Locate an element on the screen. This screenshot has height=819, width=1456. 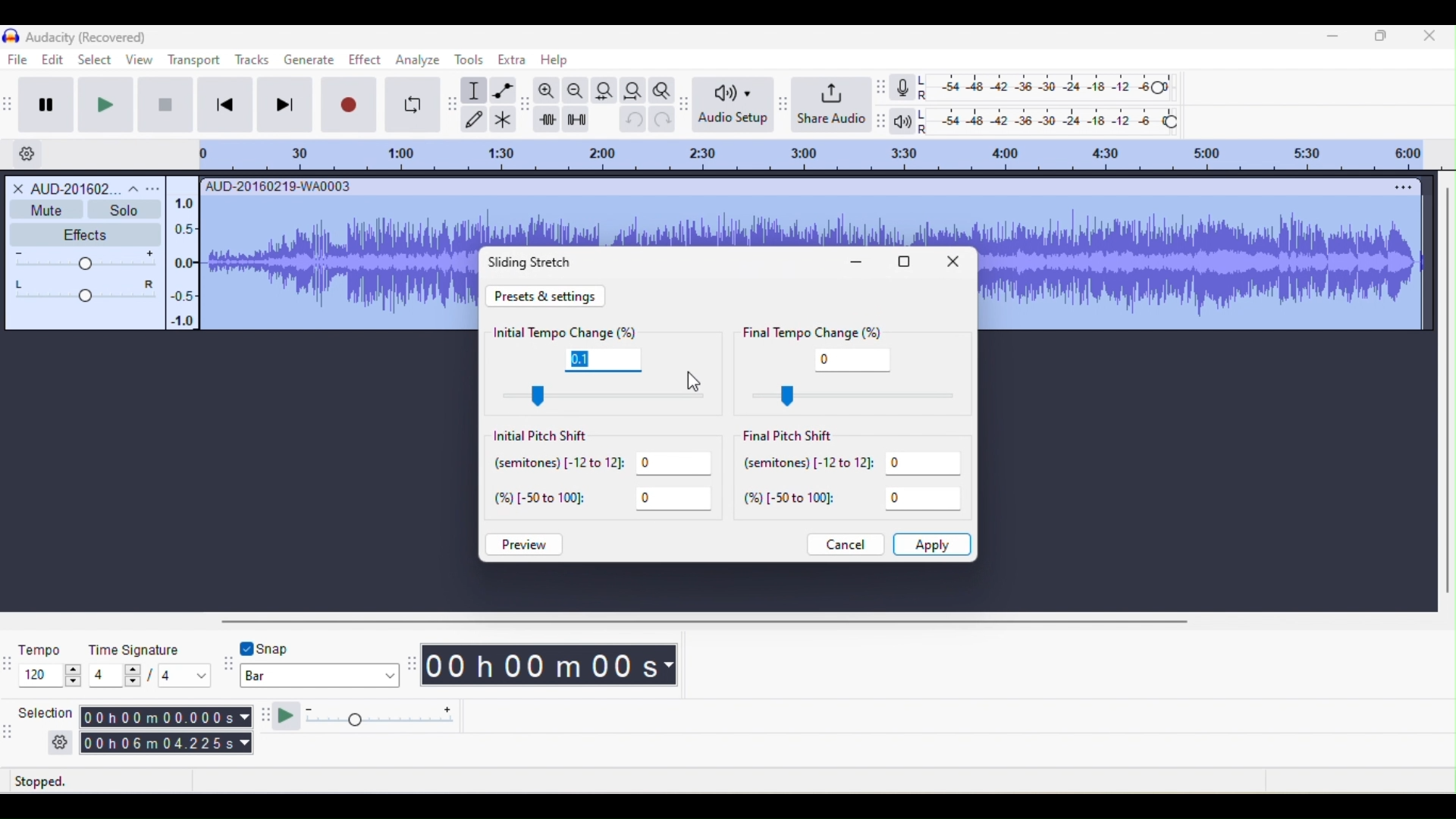
effect is located at coordinates (363, 63).